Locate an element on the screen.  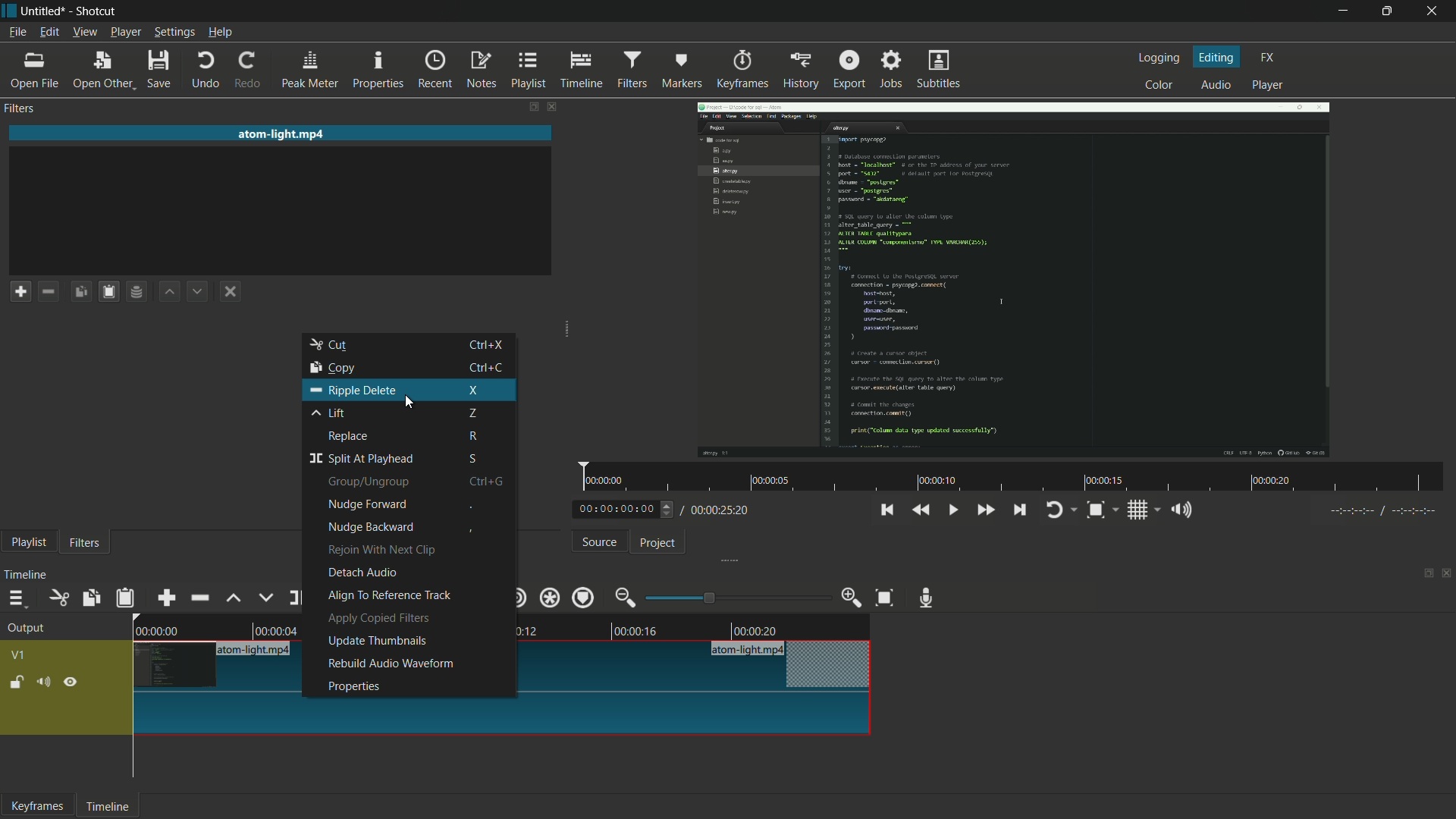
output is located at coordinates (24, 629).